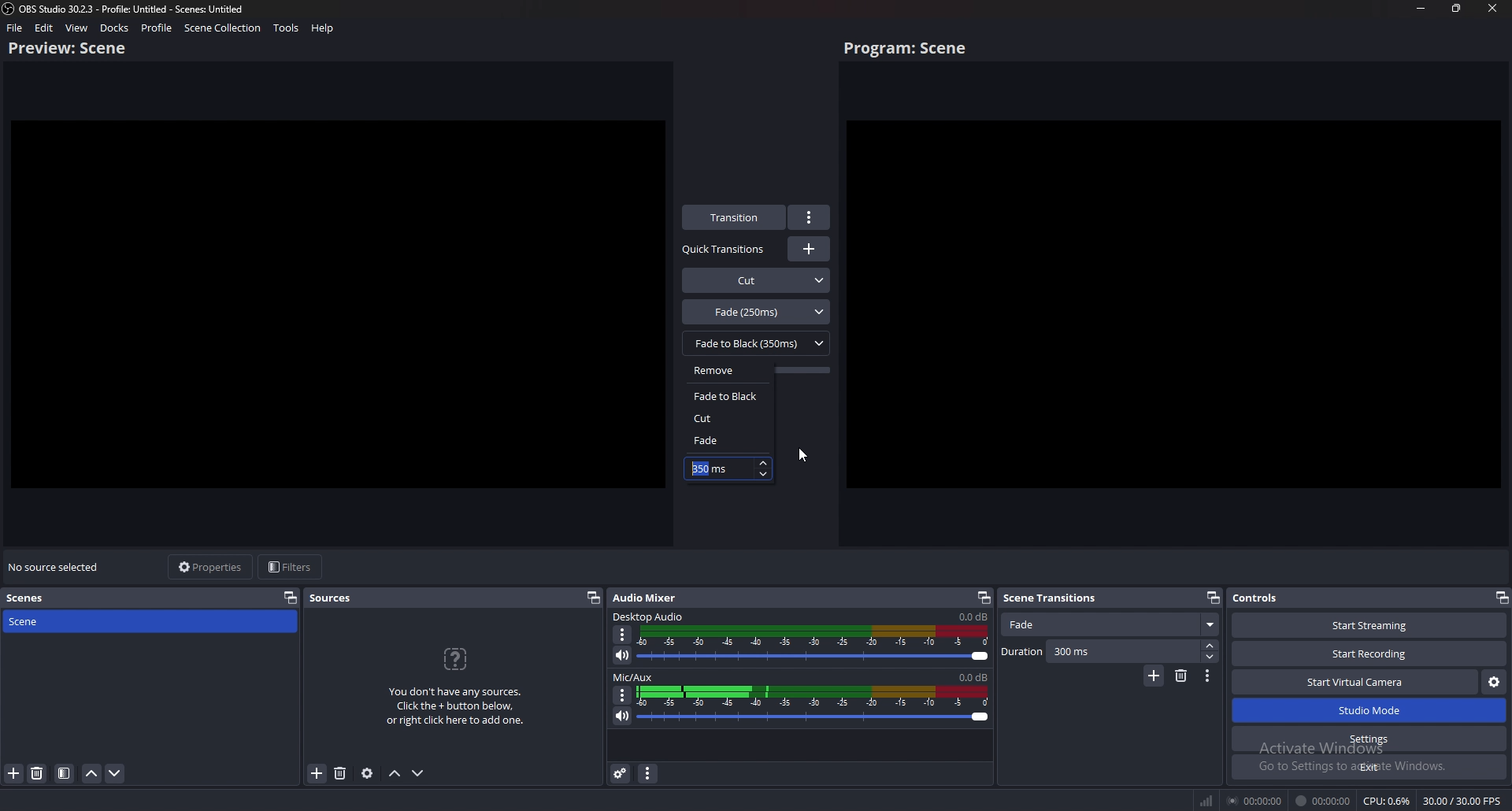 Image resolution: width=1512 pixels, height=811 pixels. I want to click on filter, so click(65, 774).